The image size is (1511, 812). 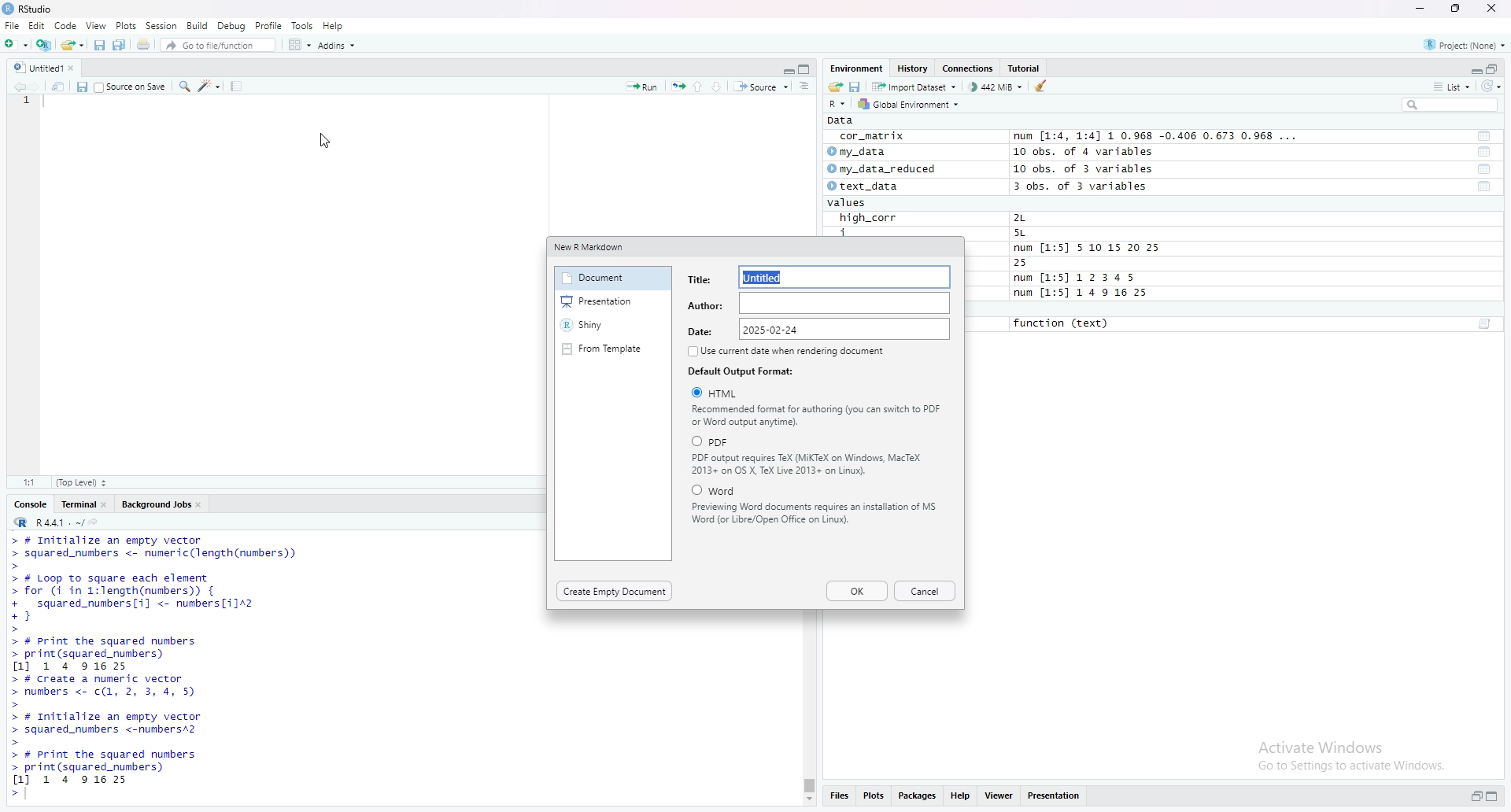 I want to click on Default Output Format:, so click(x=741, y=371).